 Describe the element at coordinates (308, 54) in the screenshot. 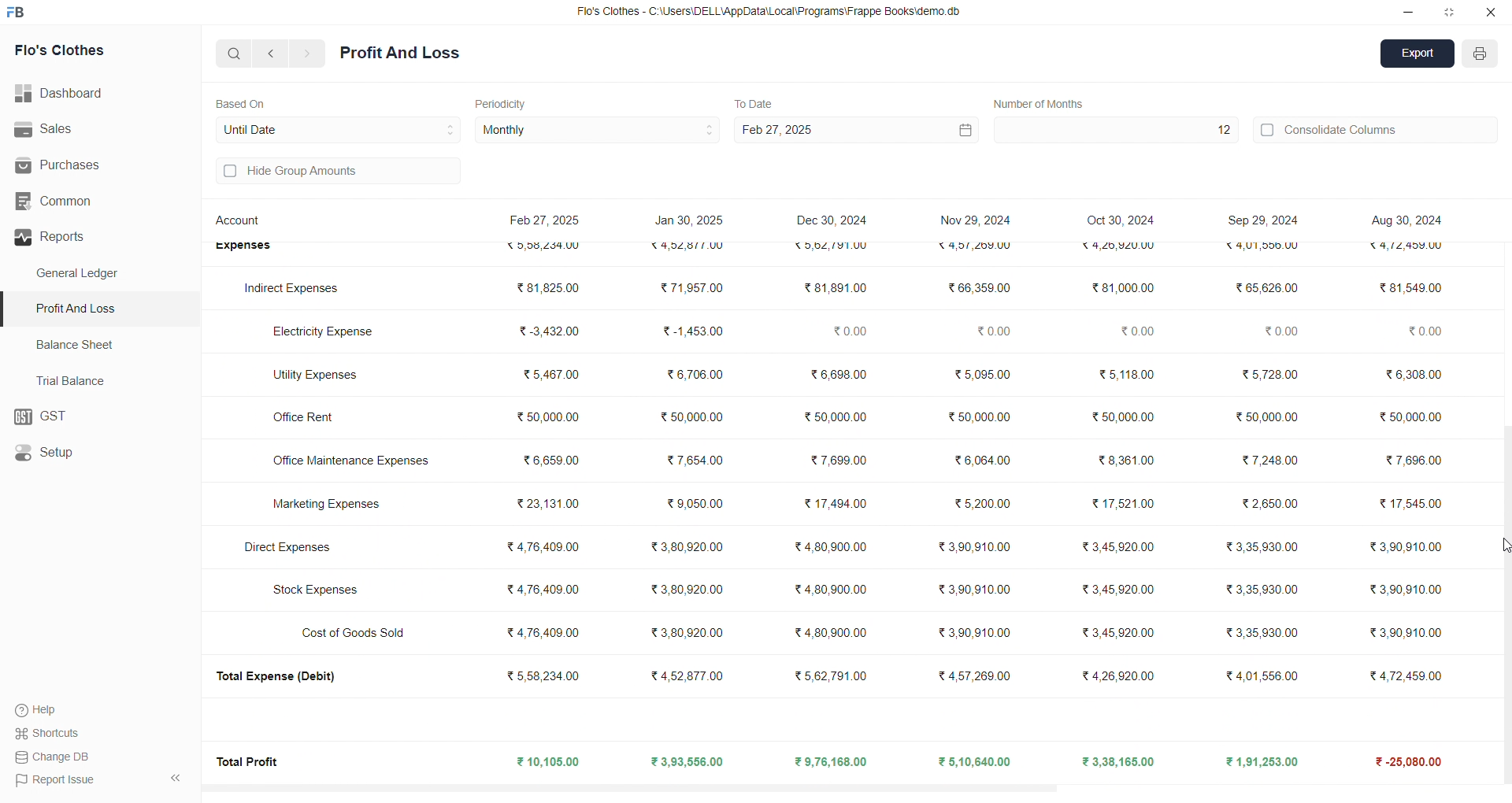

I see `navigate forward` at that location.